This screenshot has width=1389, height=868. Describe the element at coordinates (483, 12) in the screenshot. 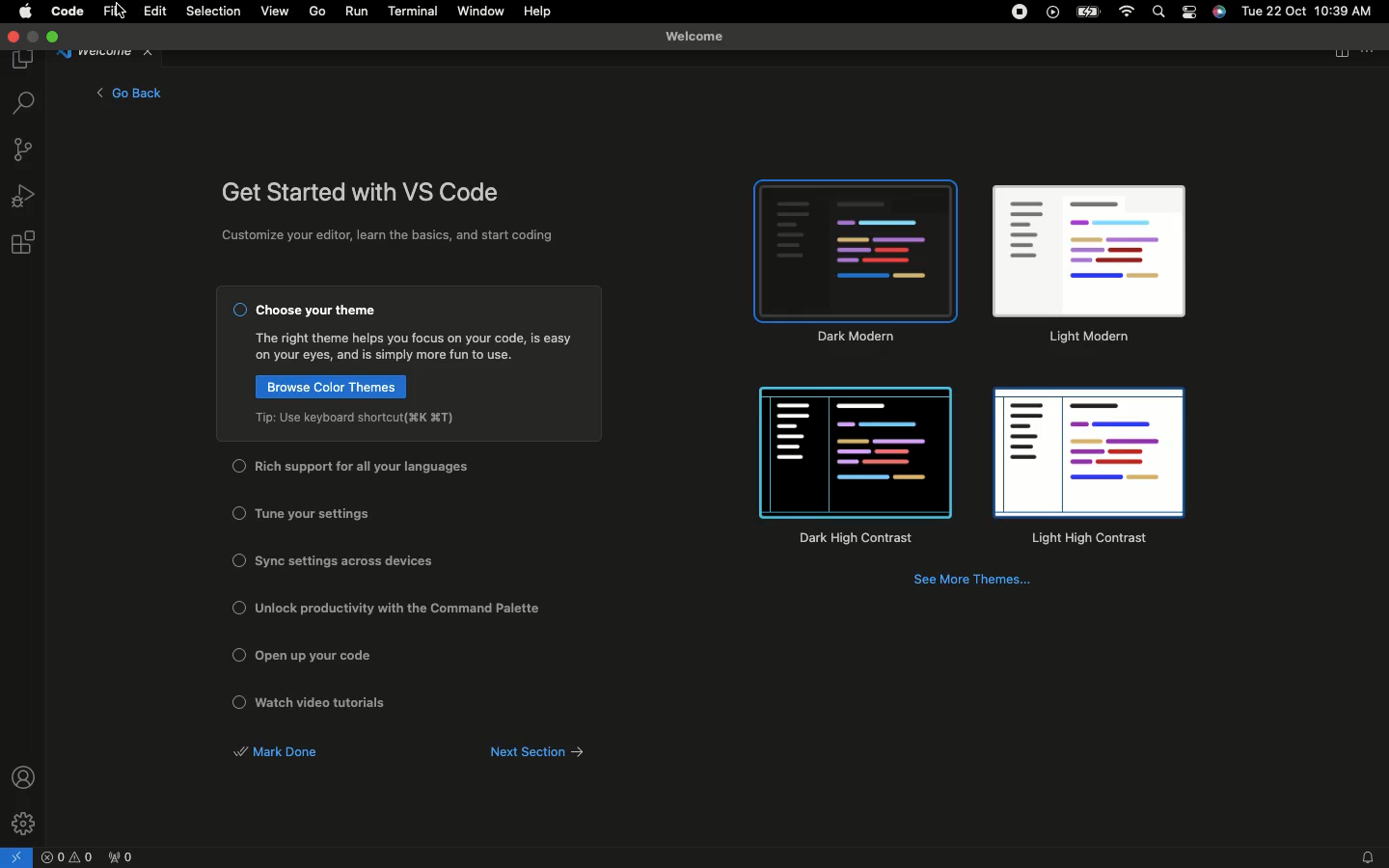

I see `Window` at that location.